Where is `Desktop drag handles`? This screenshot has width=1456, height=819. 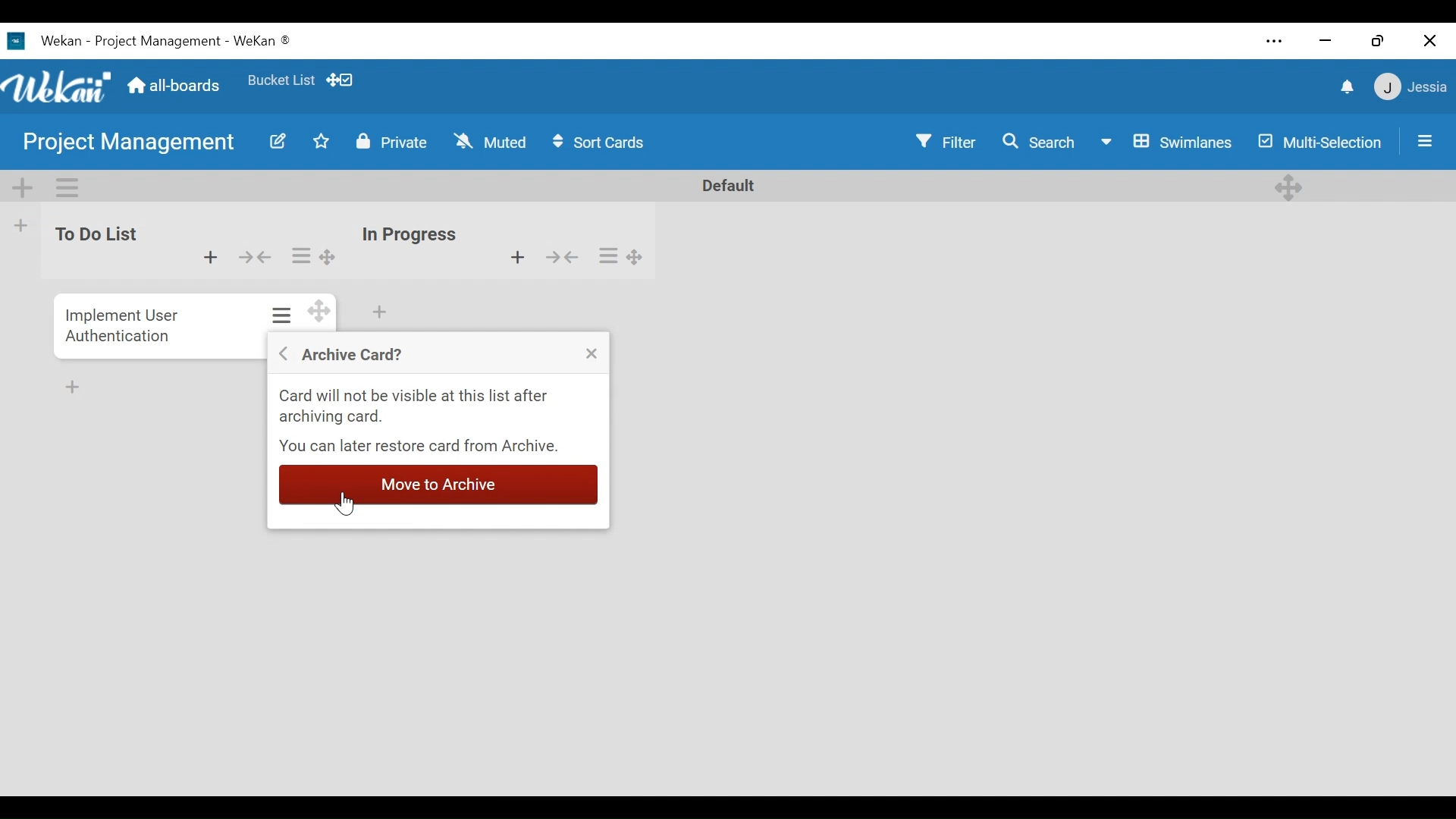
Desktop drag handles is located at coordinates (1290, 186).